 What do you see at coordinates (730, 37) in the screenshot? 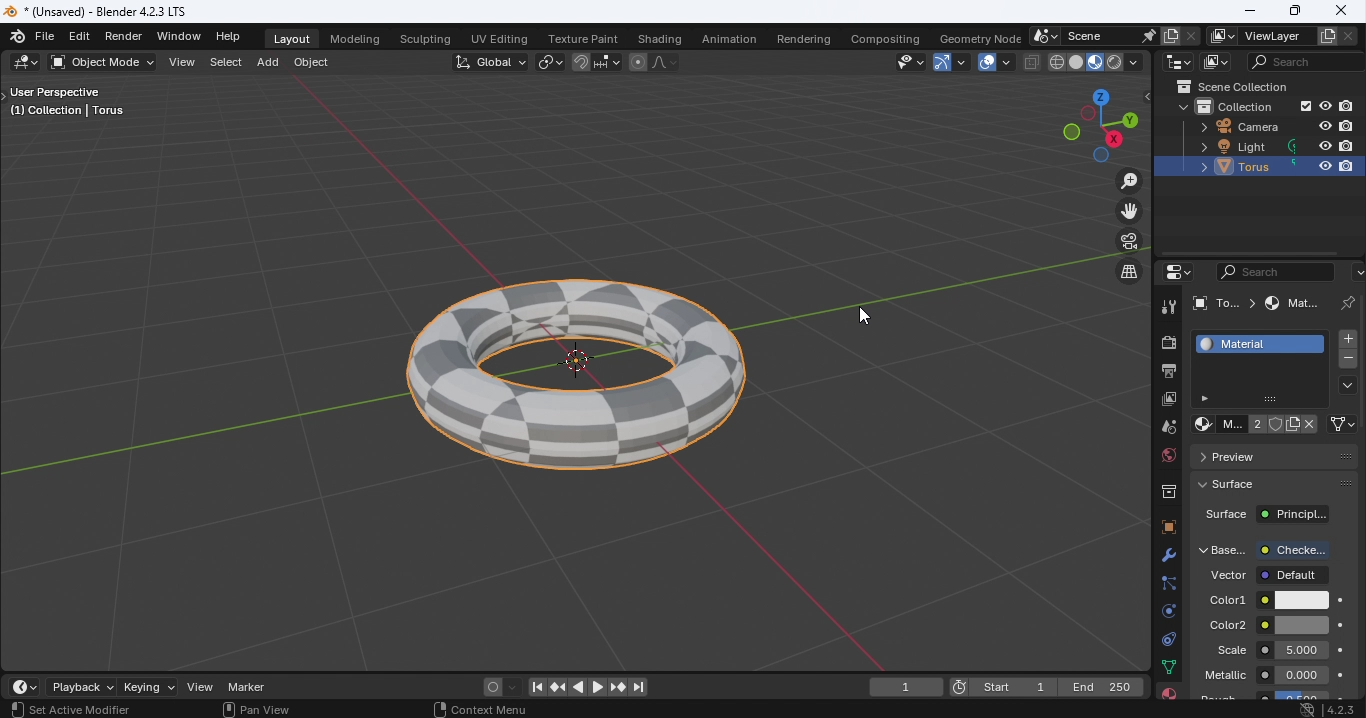
I see `Animation` at bounding box center [730, 37].